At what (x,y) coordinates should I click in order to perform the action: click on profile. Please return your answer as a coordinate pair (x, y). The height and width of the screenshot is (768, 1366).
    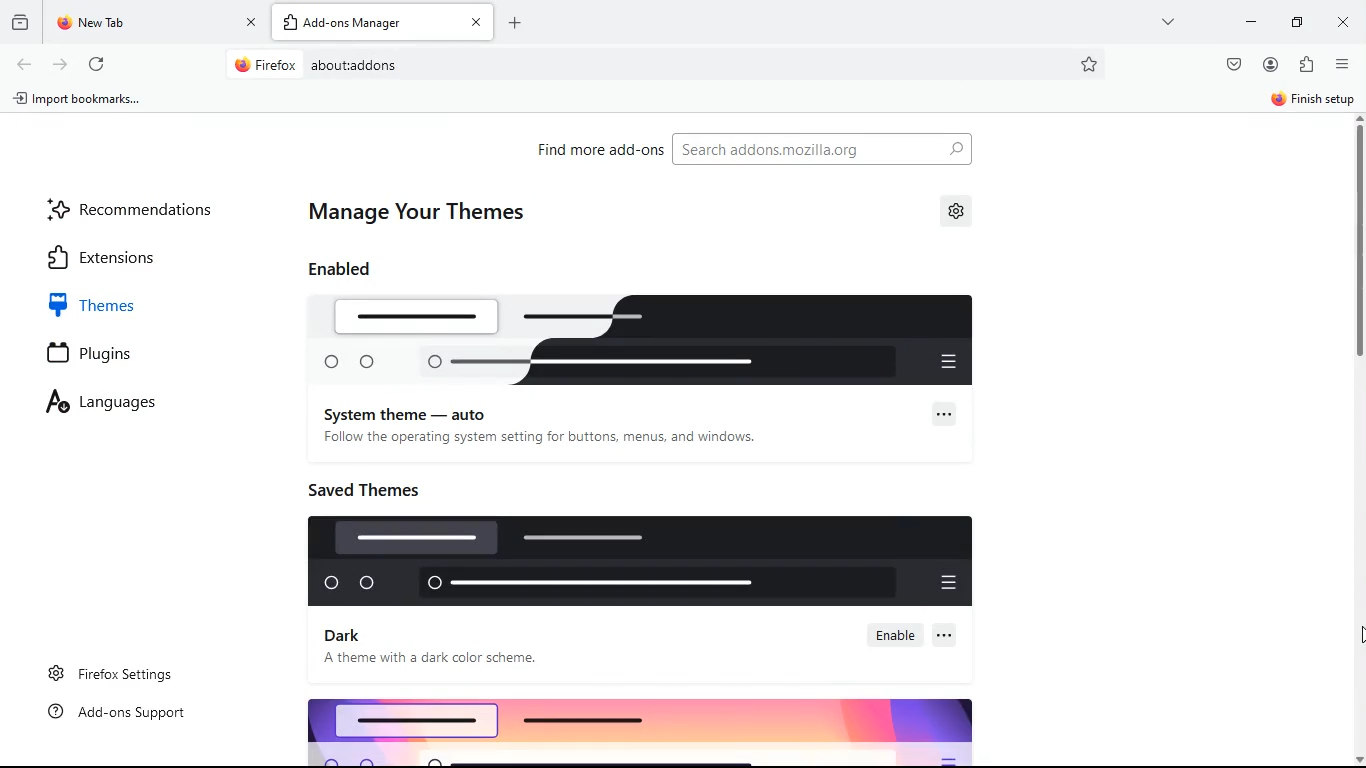
    Looking at the image, I should click on (1271, 68).